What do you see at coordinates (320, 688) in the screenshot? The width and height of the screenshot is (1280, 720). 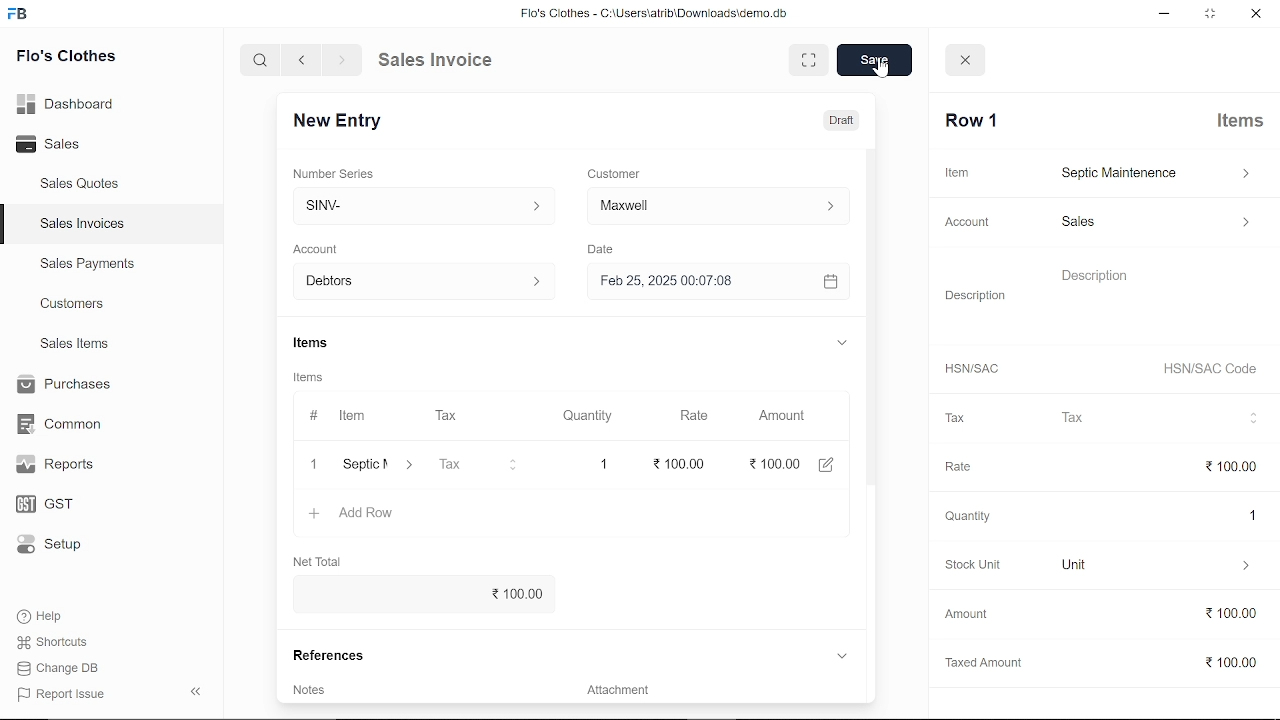 I see `Add invoice terms` at bounding box center [320, 688].